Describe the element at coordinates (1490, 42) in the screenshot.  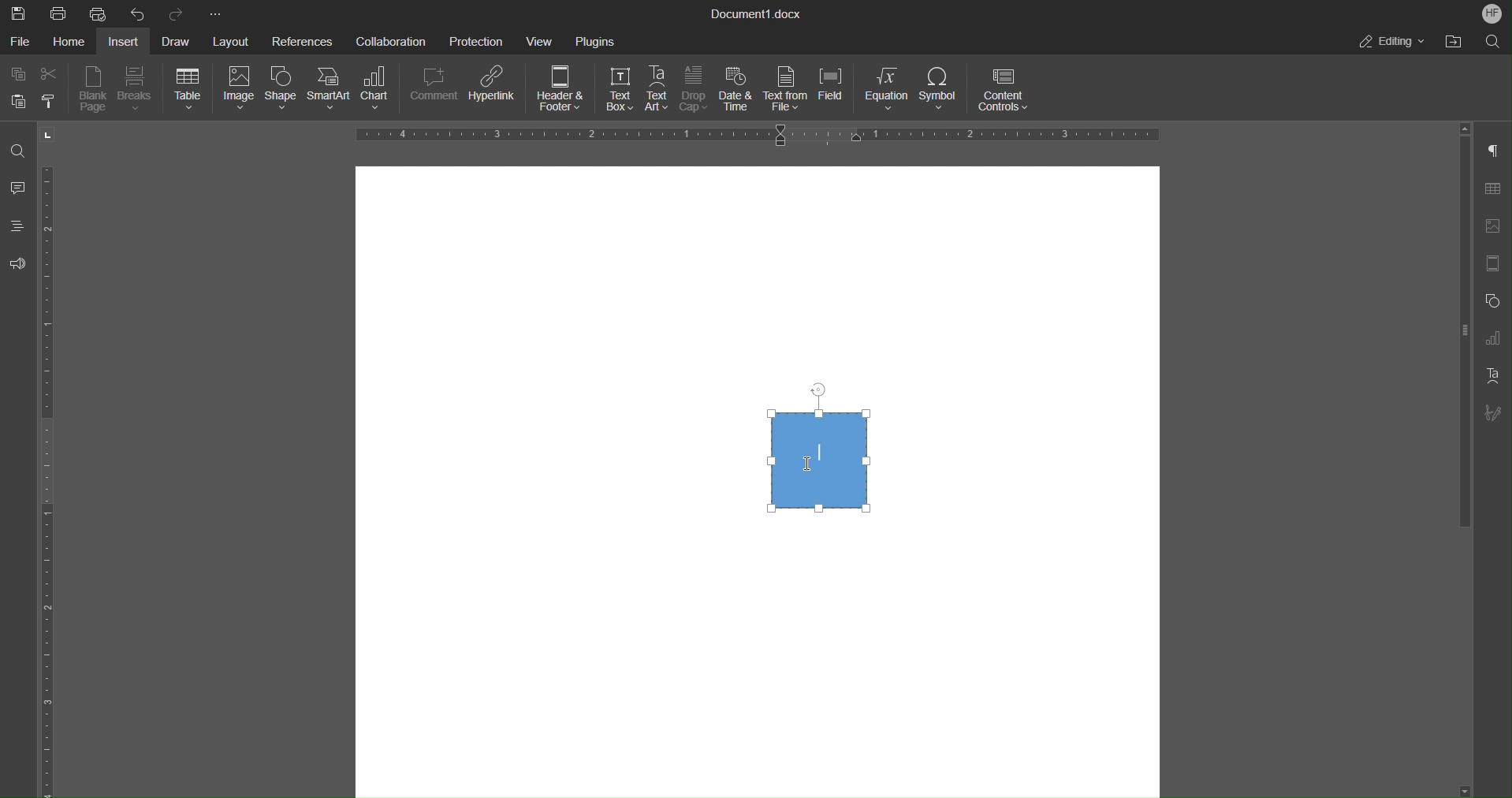
I see `Search` at that location.